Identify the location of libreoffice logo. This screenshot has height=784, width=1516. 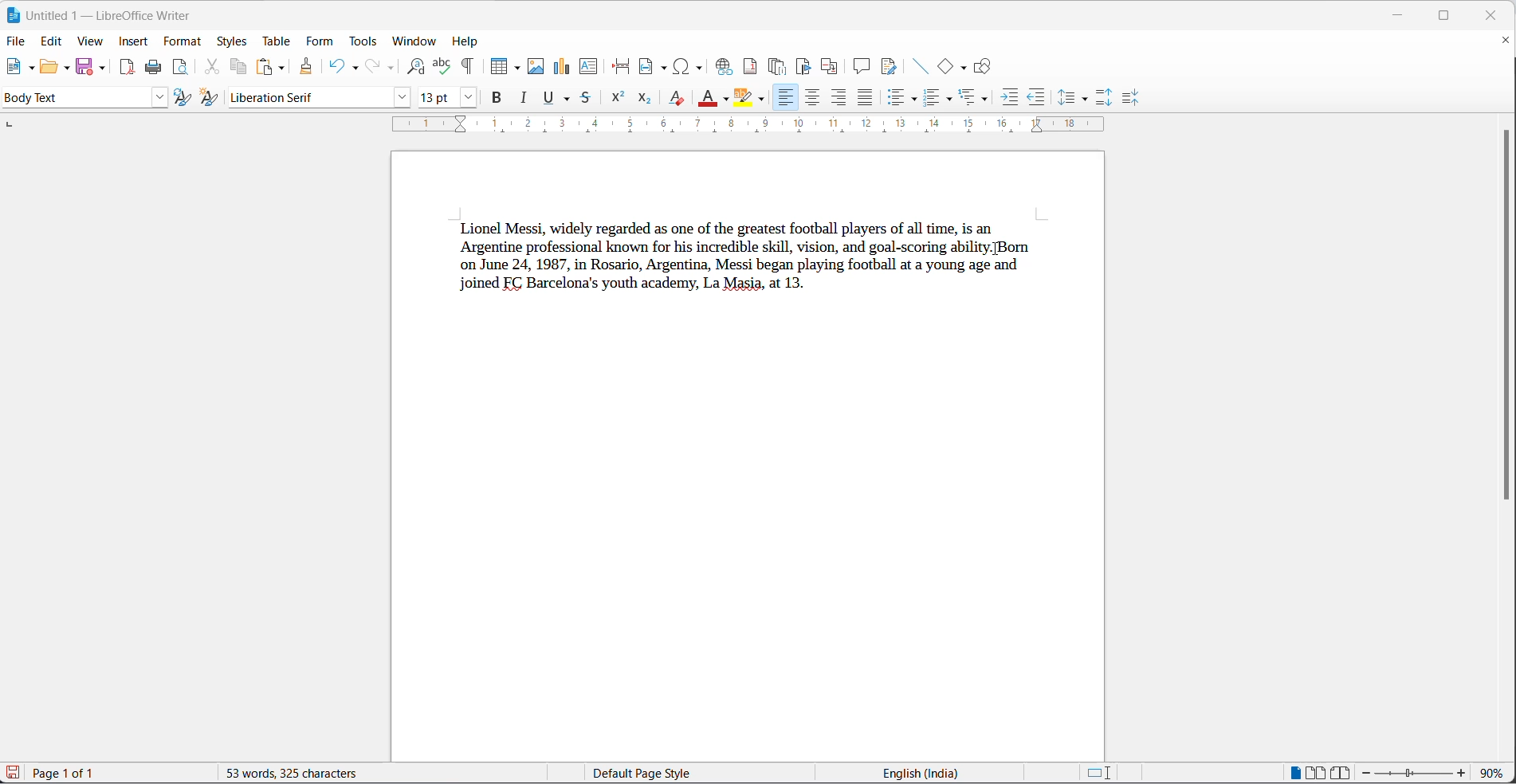
(14, 15).